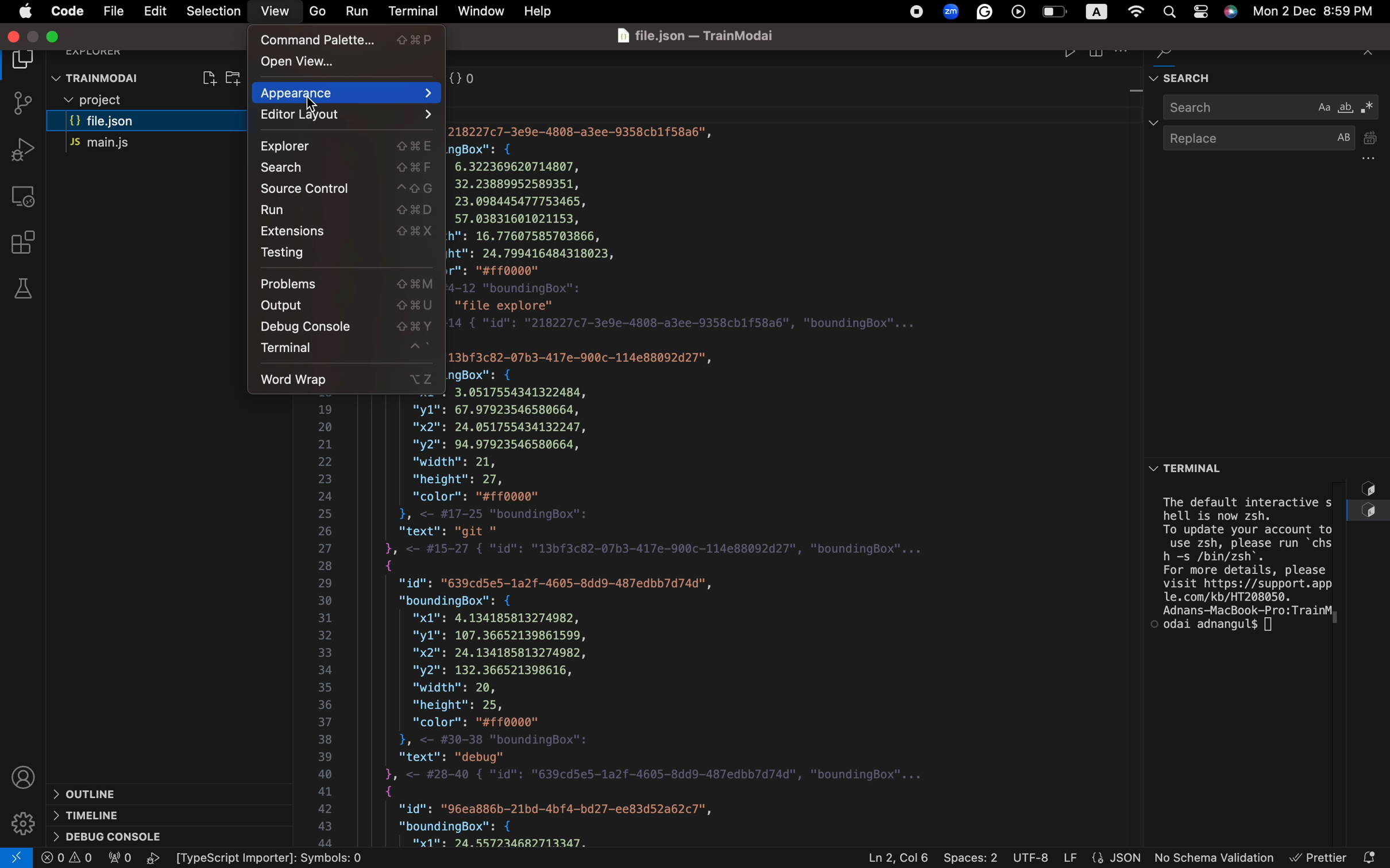 This screenshot has width=1390, height=868. What do you see at coordinates (25, 241) in the screenshot?
I see `Extensions` at bounding box center [25, 241].